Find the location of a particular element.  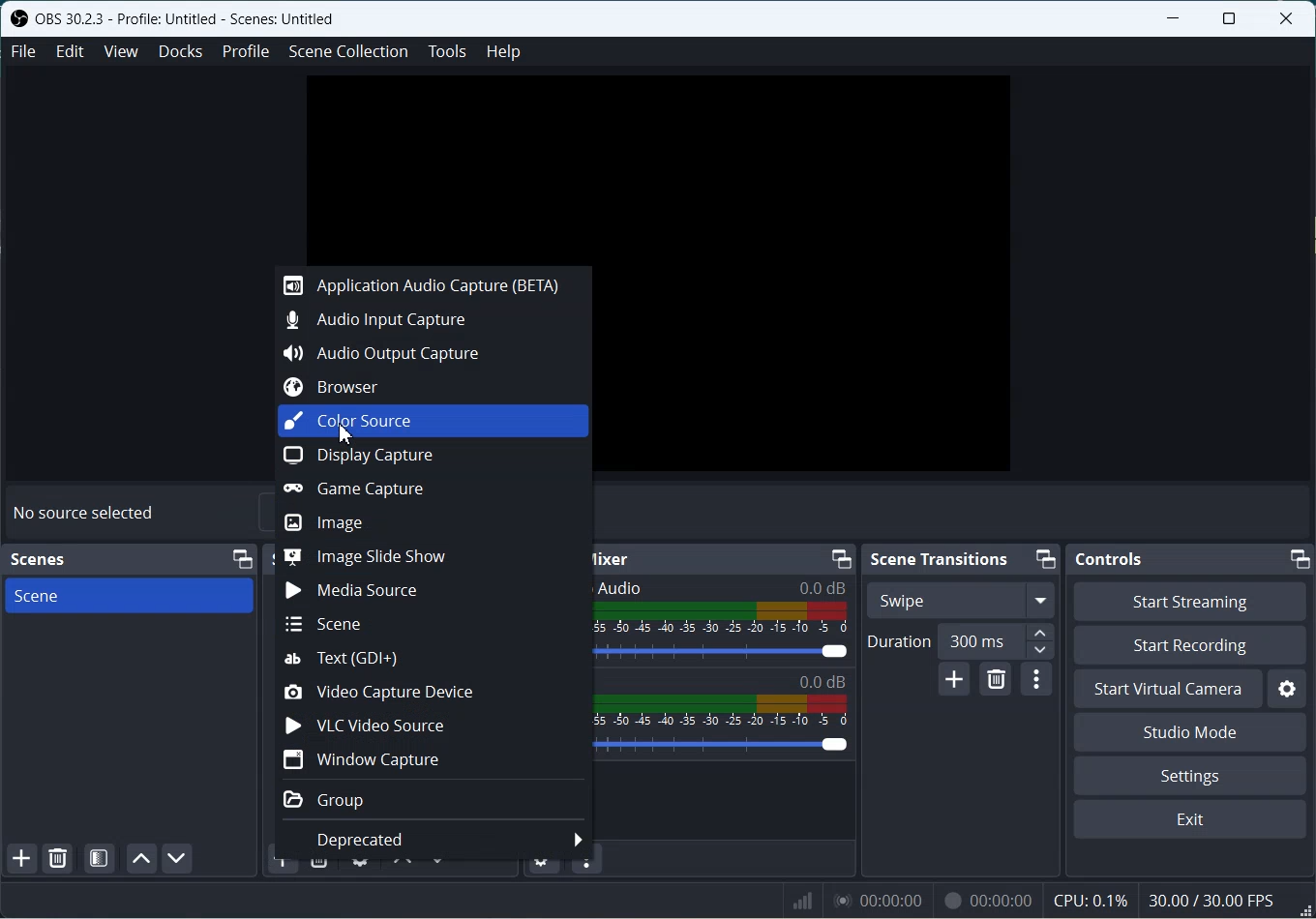

Settings is located at coordinates (1287, 689).